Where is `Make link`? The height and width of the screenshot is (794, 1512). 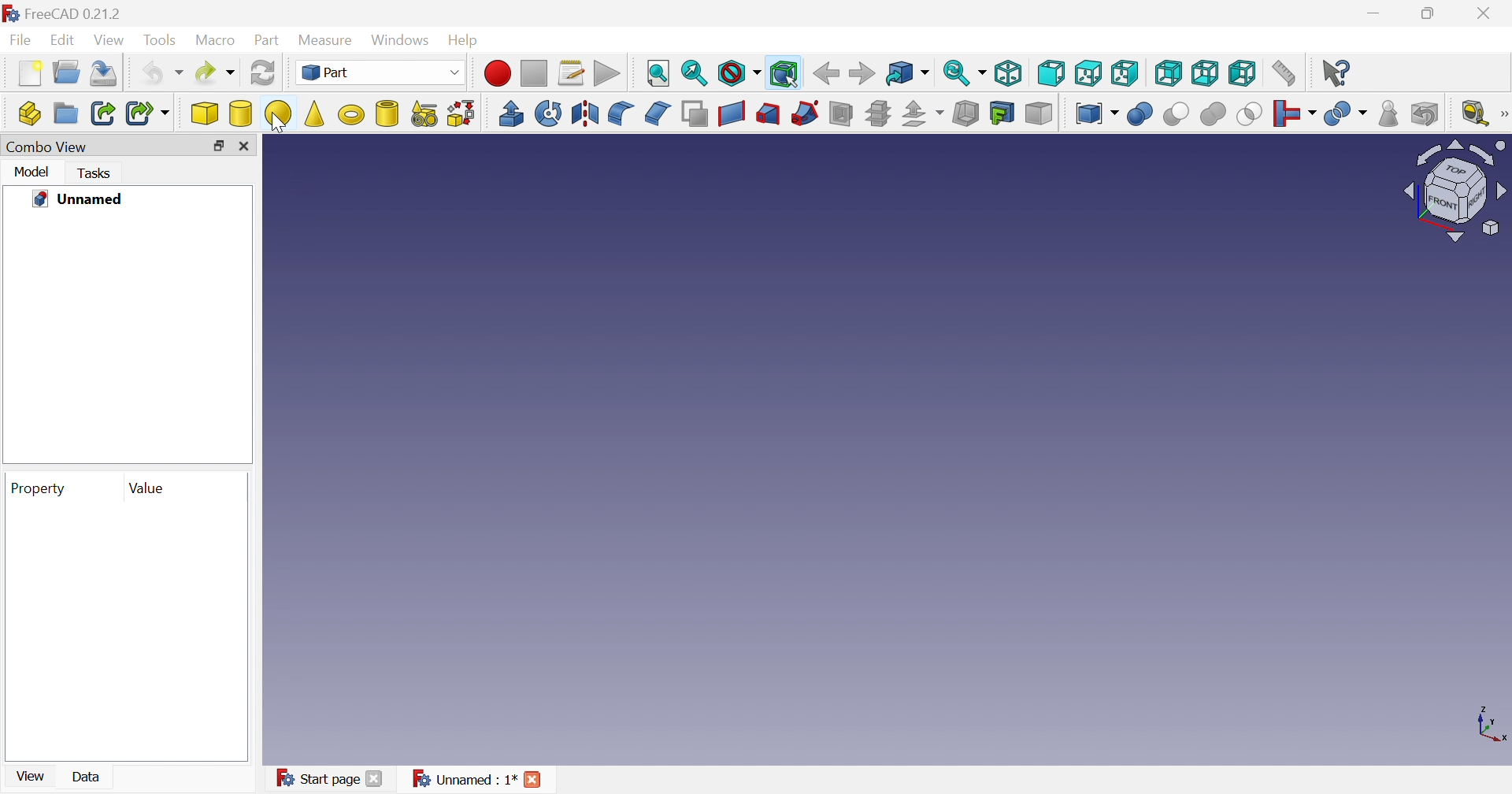
Make link is located at coordinates (103, 113).